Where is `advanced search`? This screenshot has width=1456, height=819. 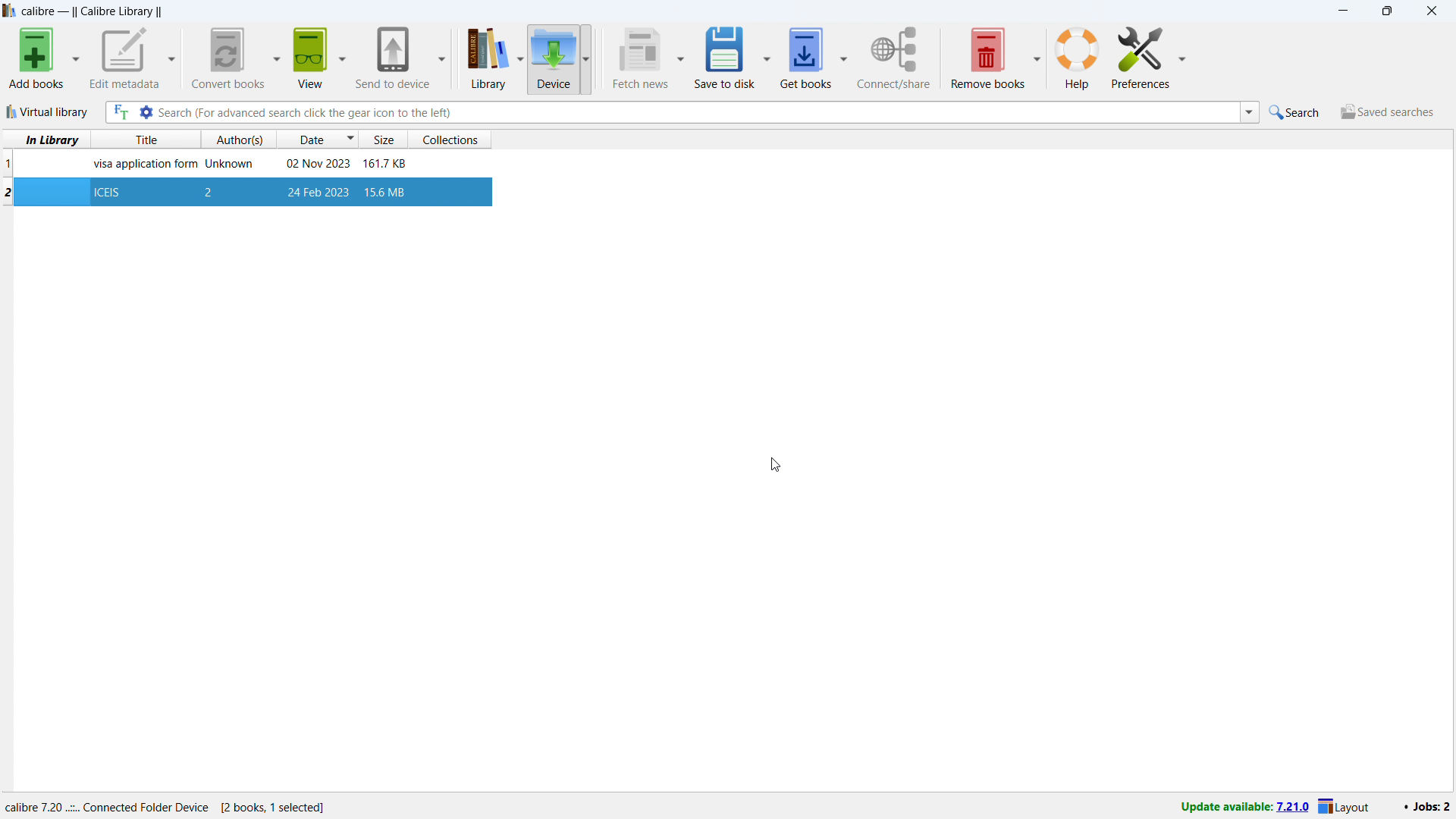 advanced search is located at coordinates (146, 112).